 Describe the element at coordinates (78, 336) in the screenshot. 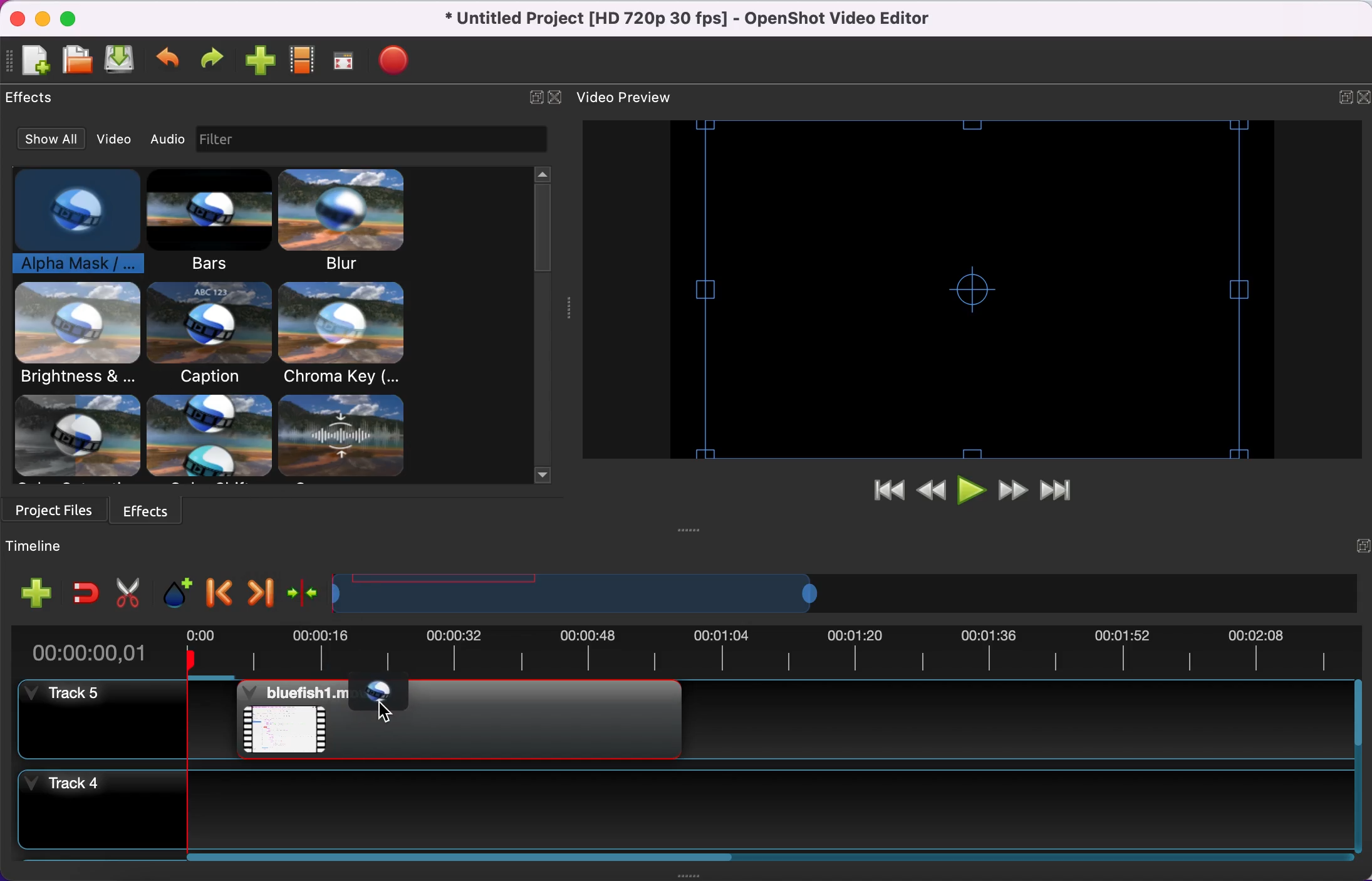

I see `brightness` at that location.